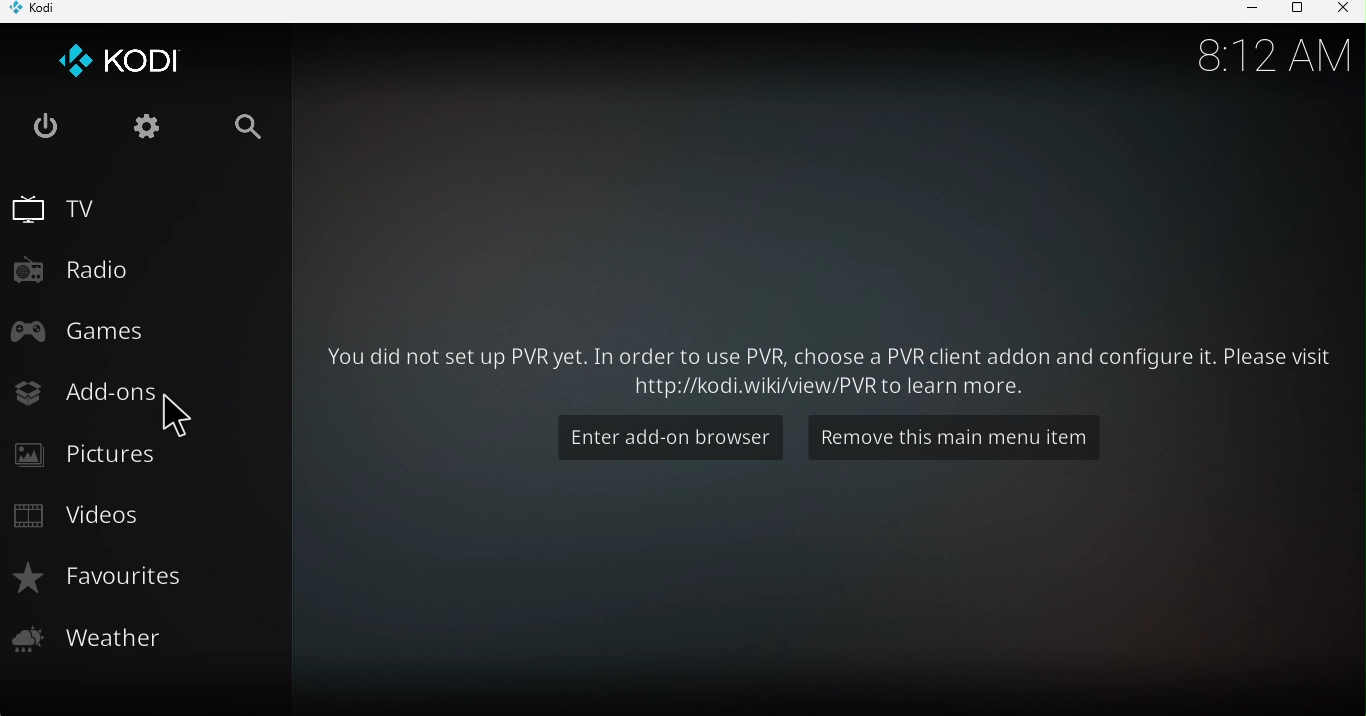  Describe the element at coordinates (99, 638) in the screenshot. I see `Weather` at that location.